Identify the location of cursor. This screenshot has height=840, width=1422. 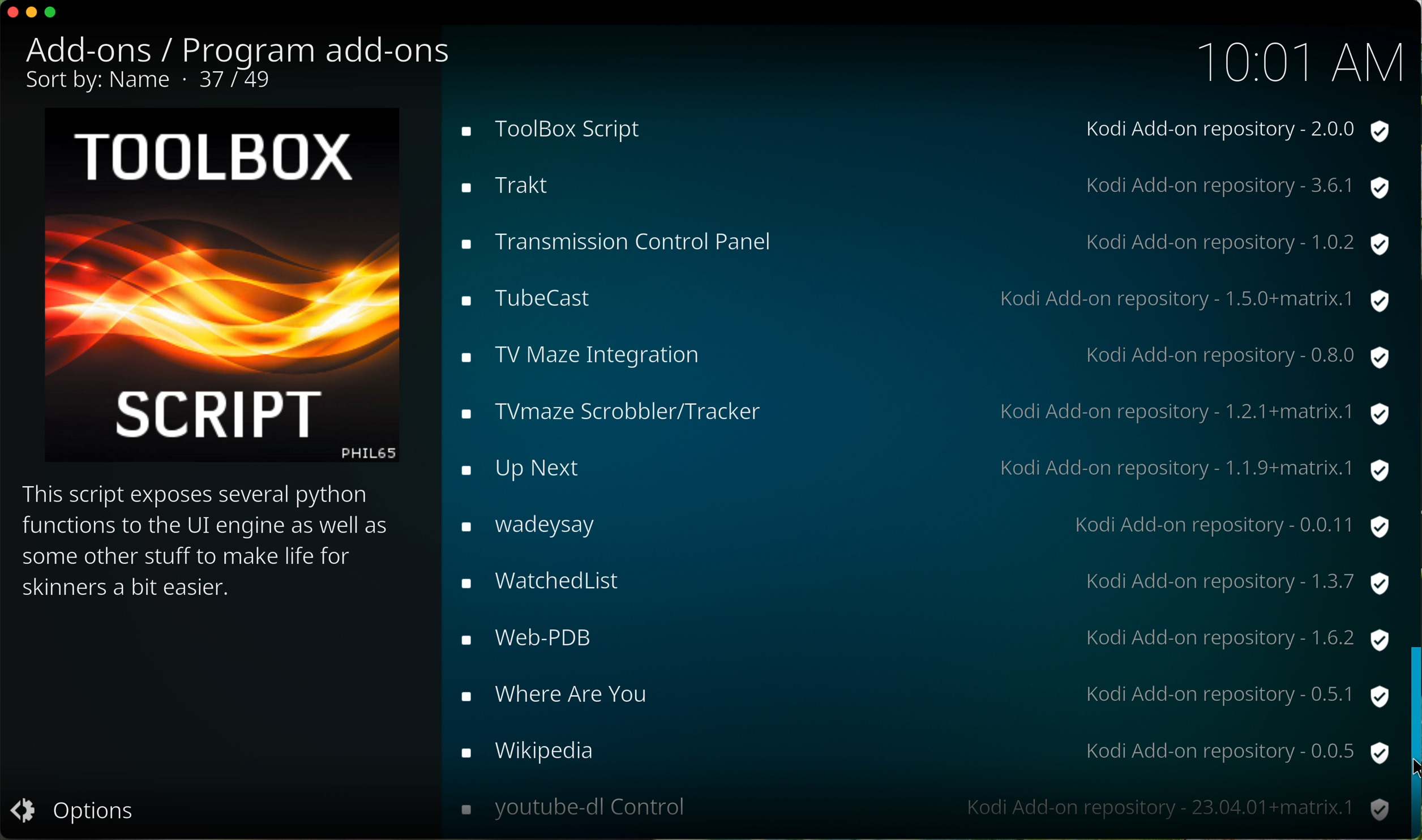
(1410, 767).